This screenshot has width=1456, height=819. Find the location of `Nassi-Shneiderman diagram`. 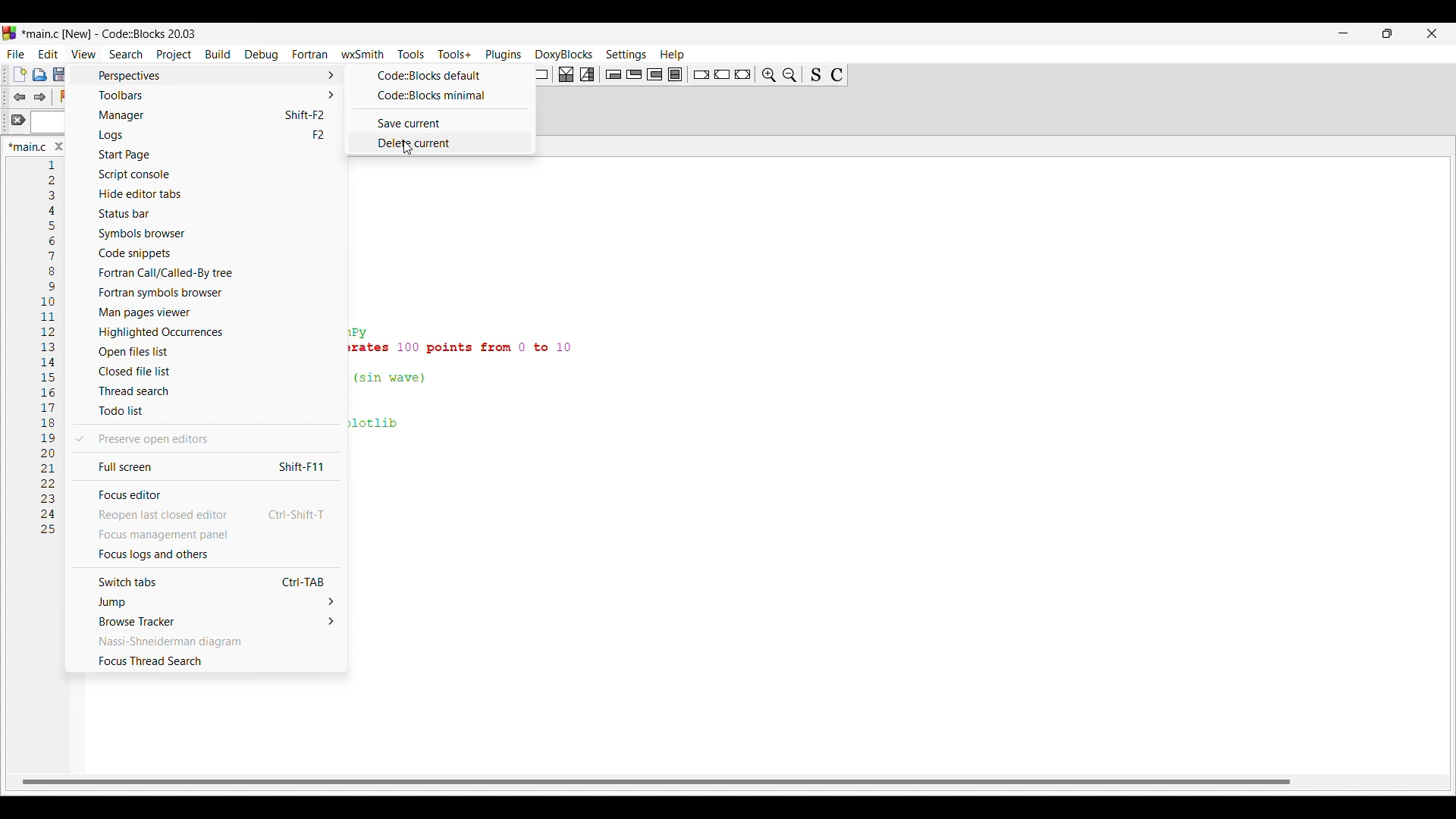

Nassi-Shneiderman diagram is located at coordinates (205, 641).